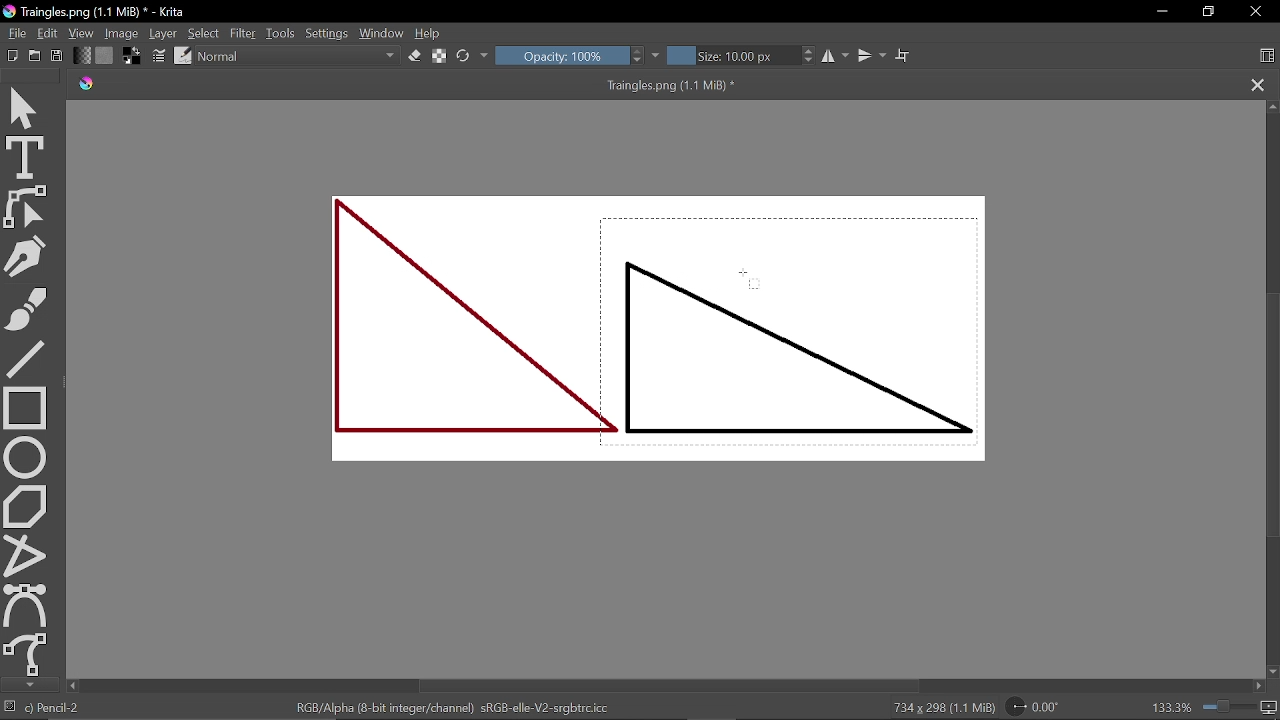  Describe the element at coordinates (1268, 55) in the screenshot. I see `Choose workspace` at that location.